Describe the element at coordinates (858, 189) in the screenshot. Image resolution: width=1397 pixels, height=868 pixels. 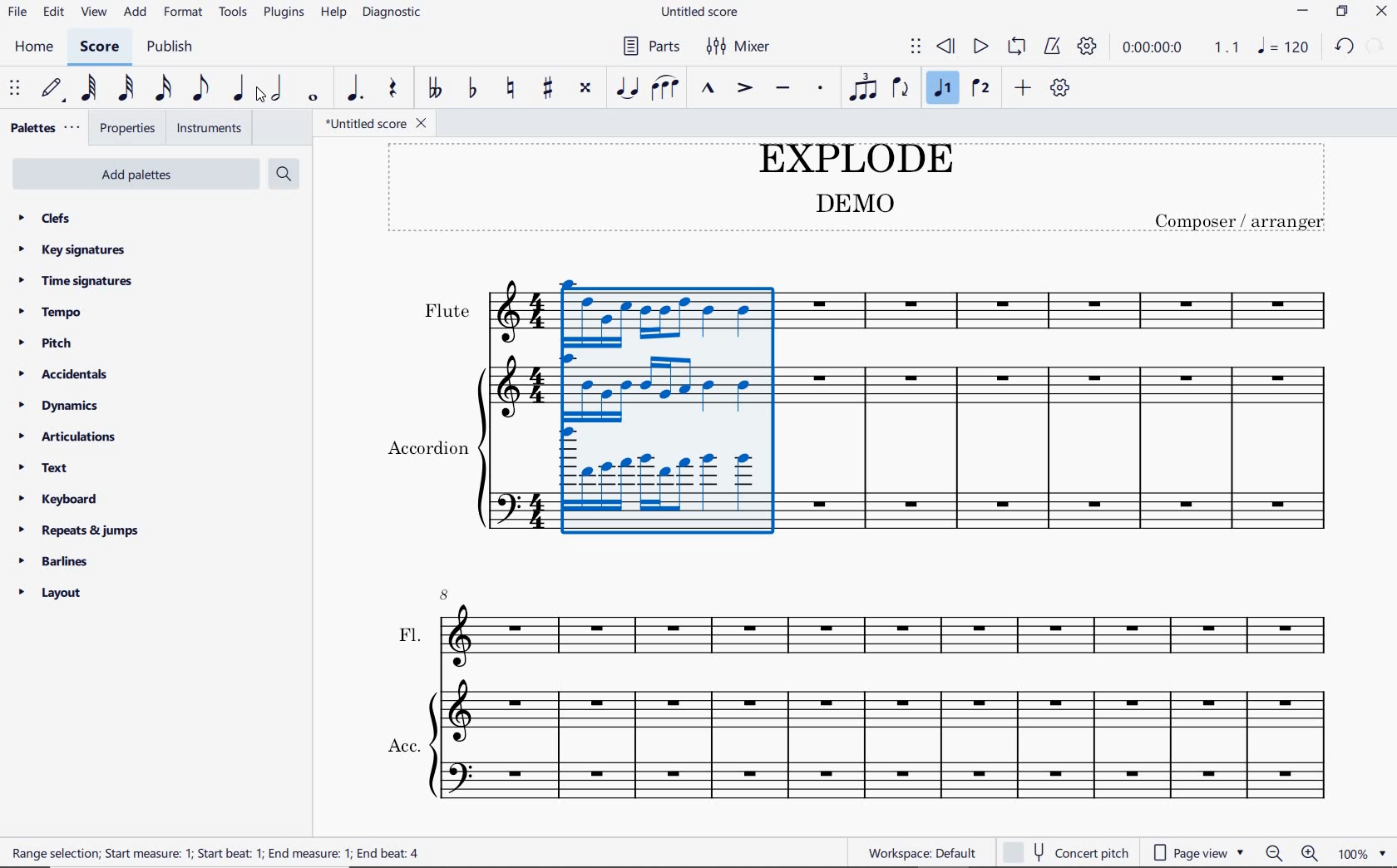
I see `title` at that location.